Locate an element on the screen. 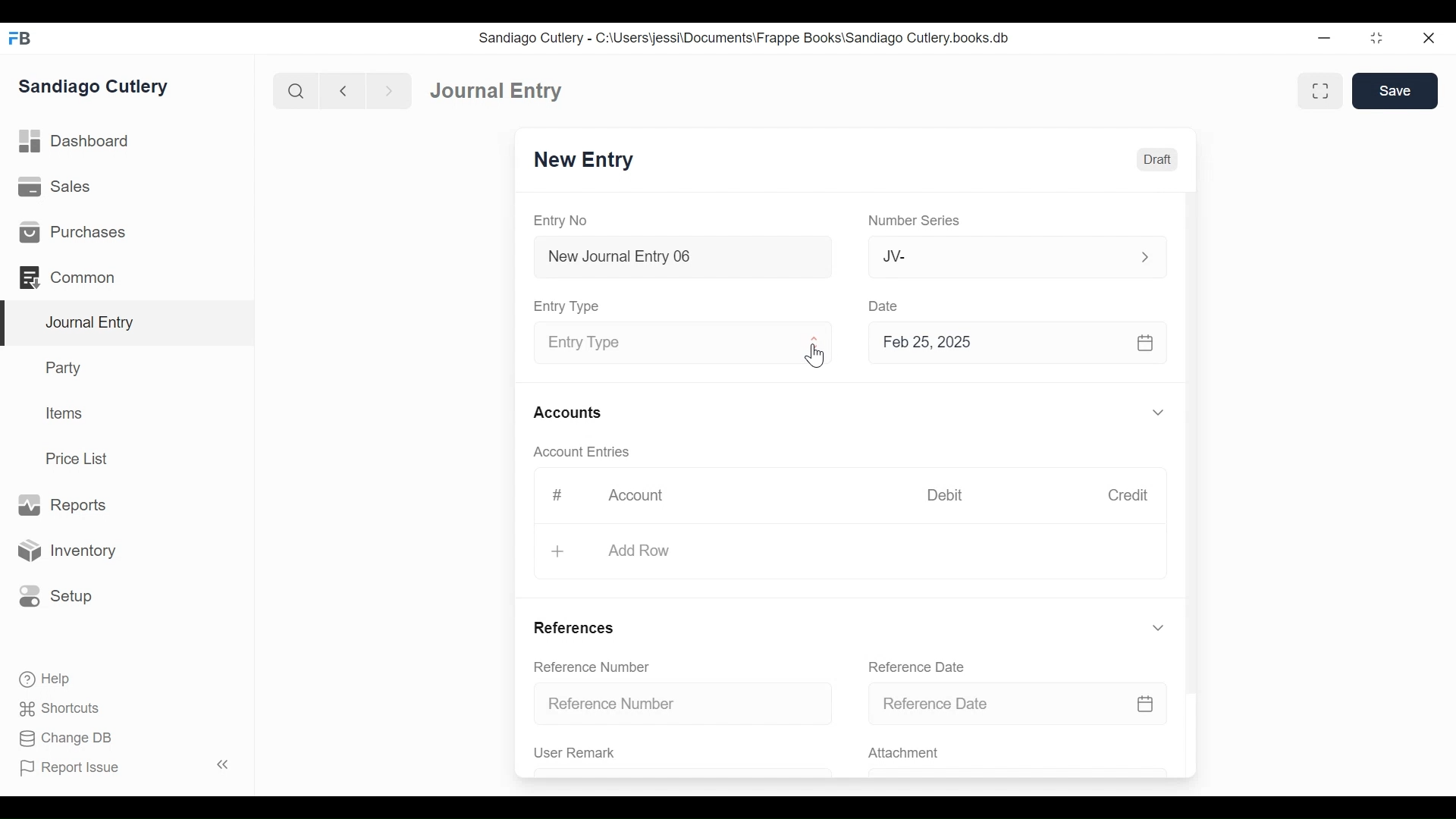 This screenshot has height=819, width=1456. Expand is located at coordinates (1161, 413).